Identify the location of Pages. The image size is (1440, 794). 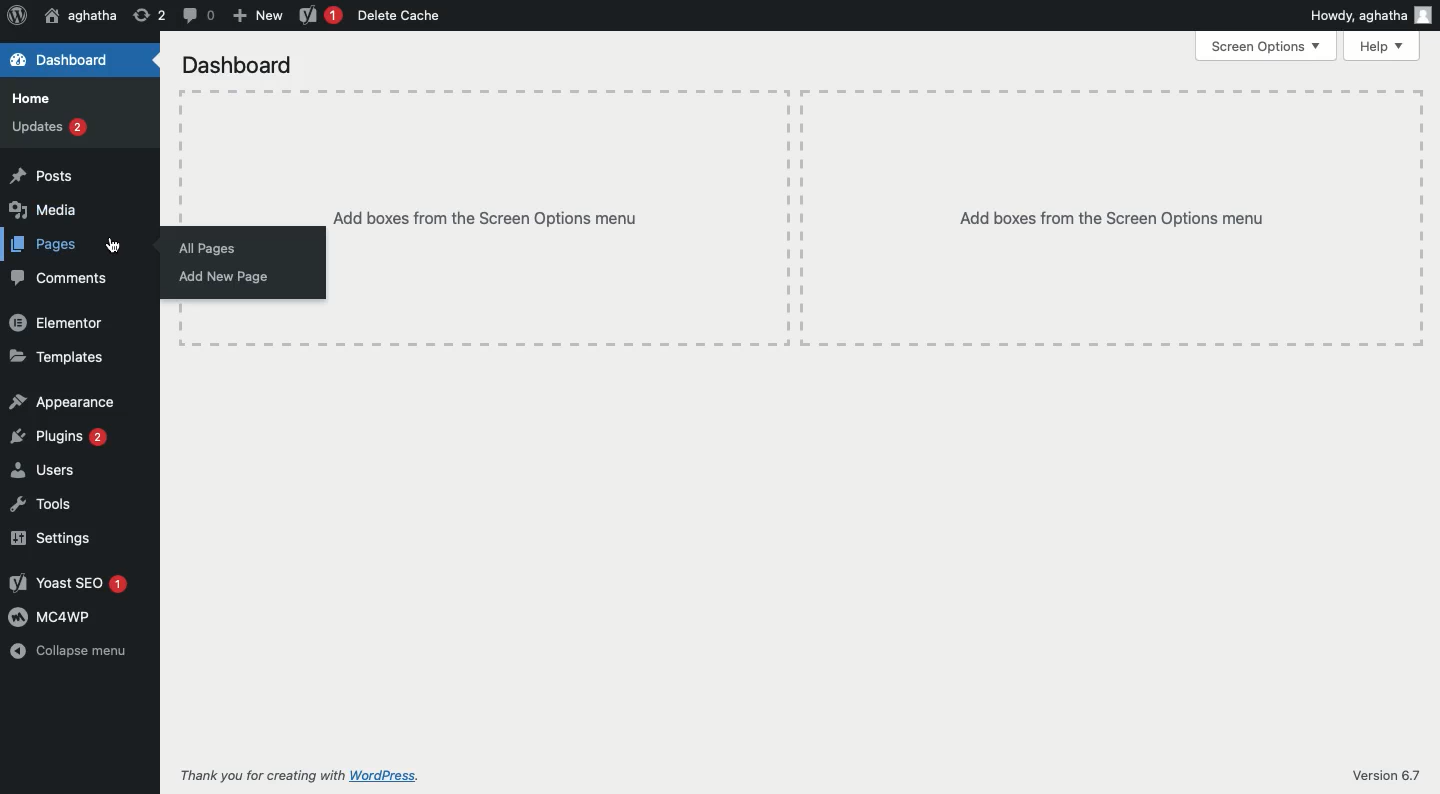
(71, 246).